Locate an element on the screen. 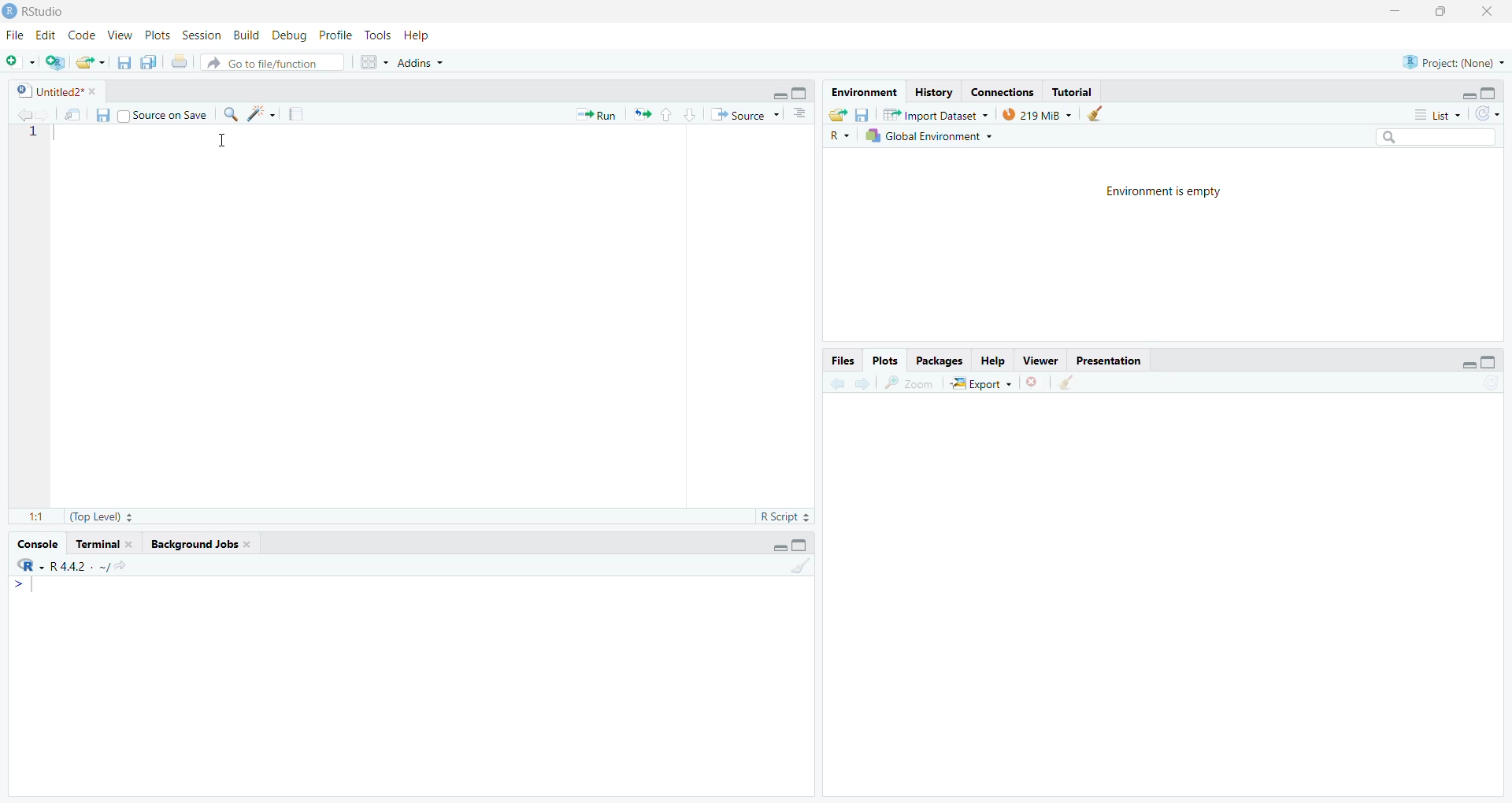  Profile is located at coordinates (337, 35).